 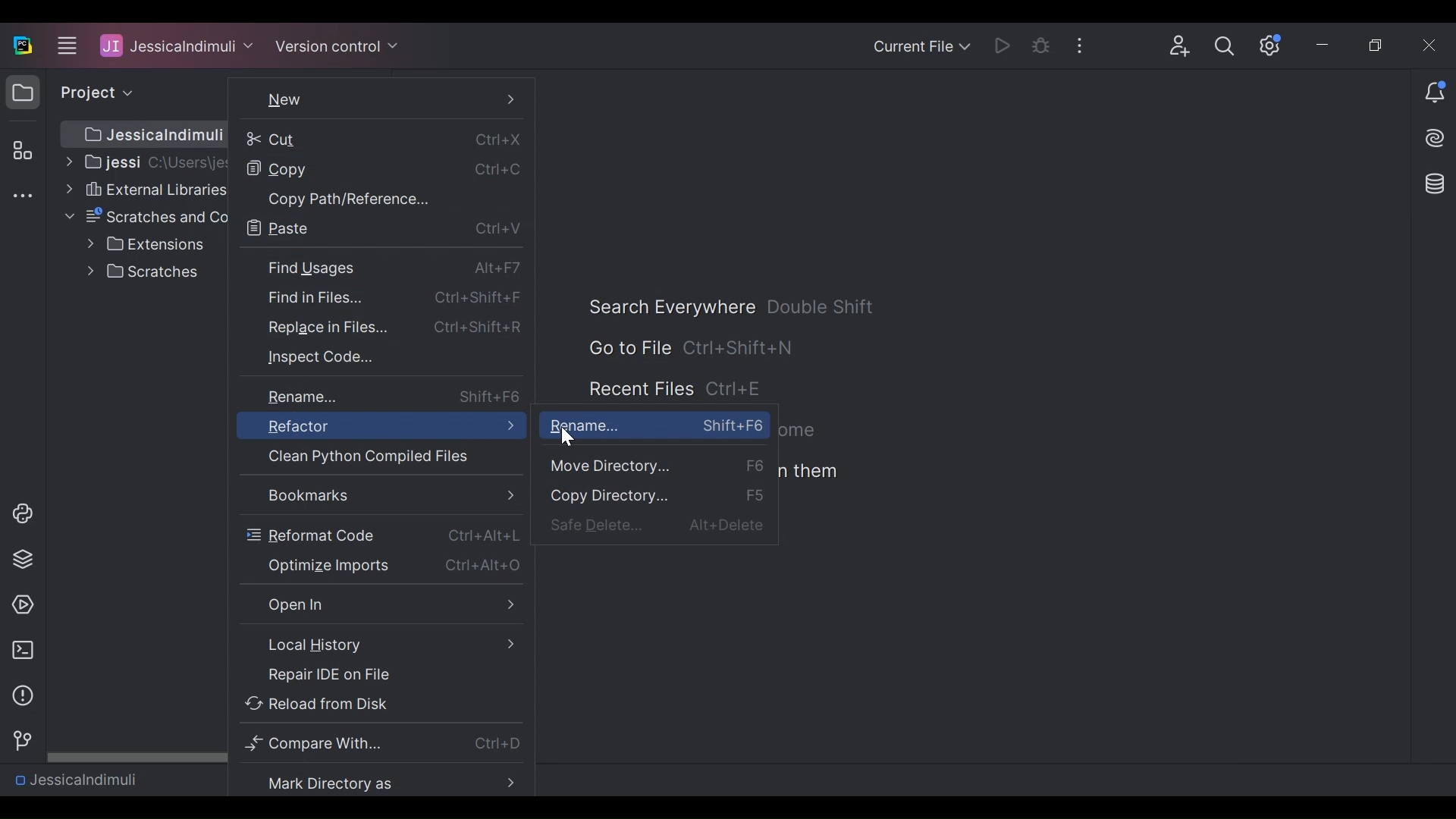 I want to click on Compare With, so click(x=384, y=744).